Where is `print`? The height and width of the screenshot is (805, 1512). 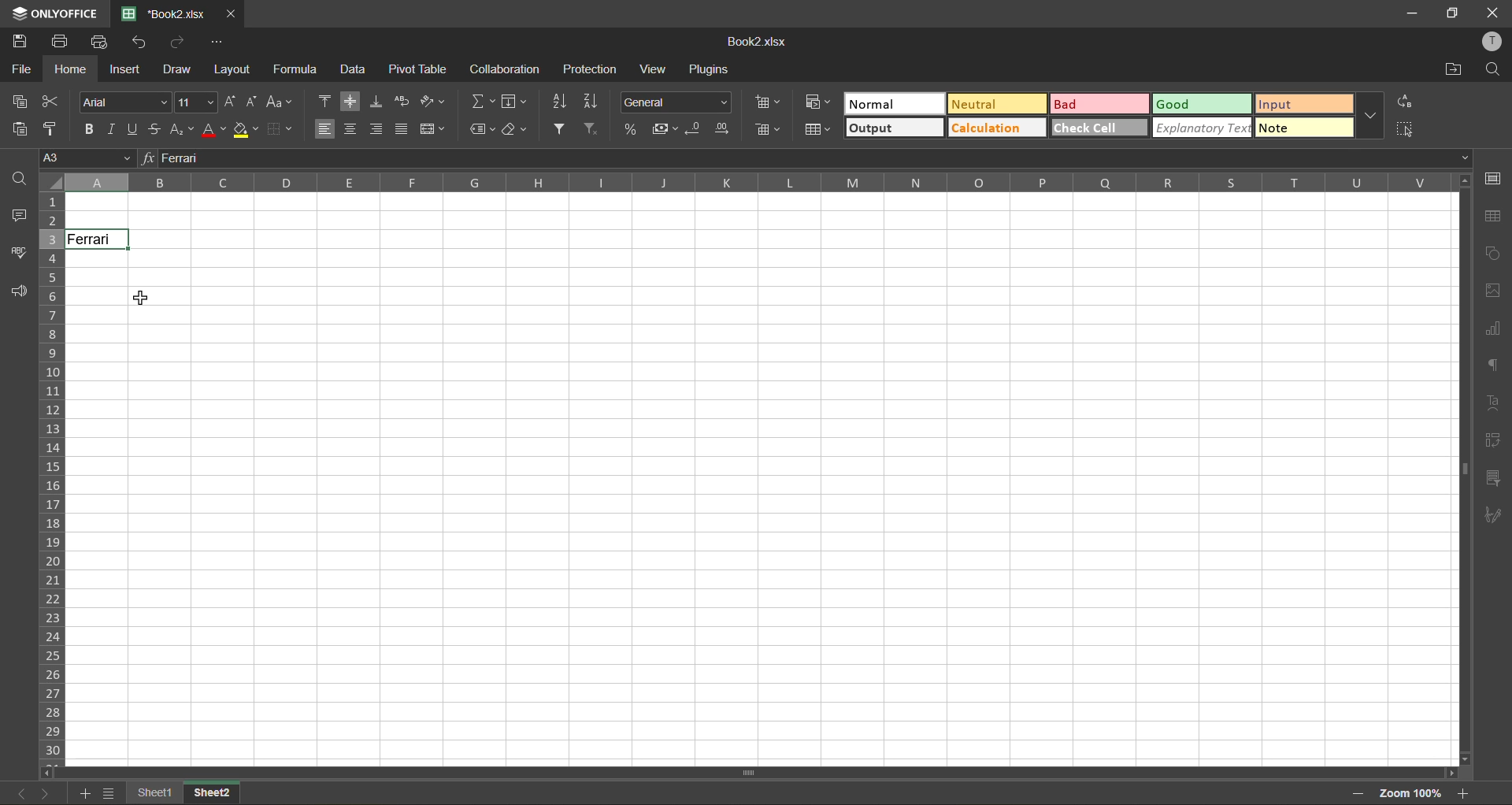 print is located at coordinates (59, 42).